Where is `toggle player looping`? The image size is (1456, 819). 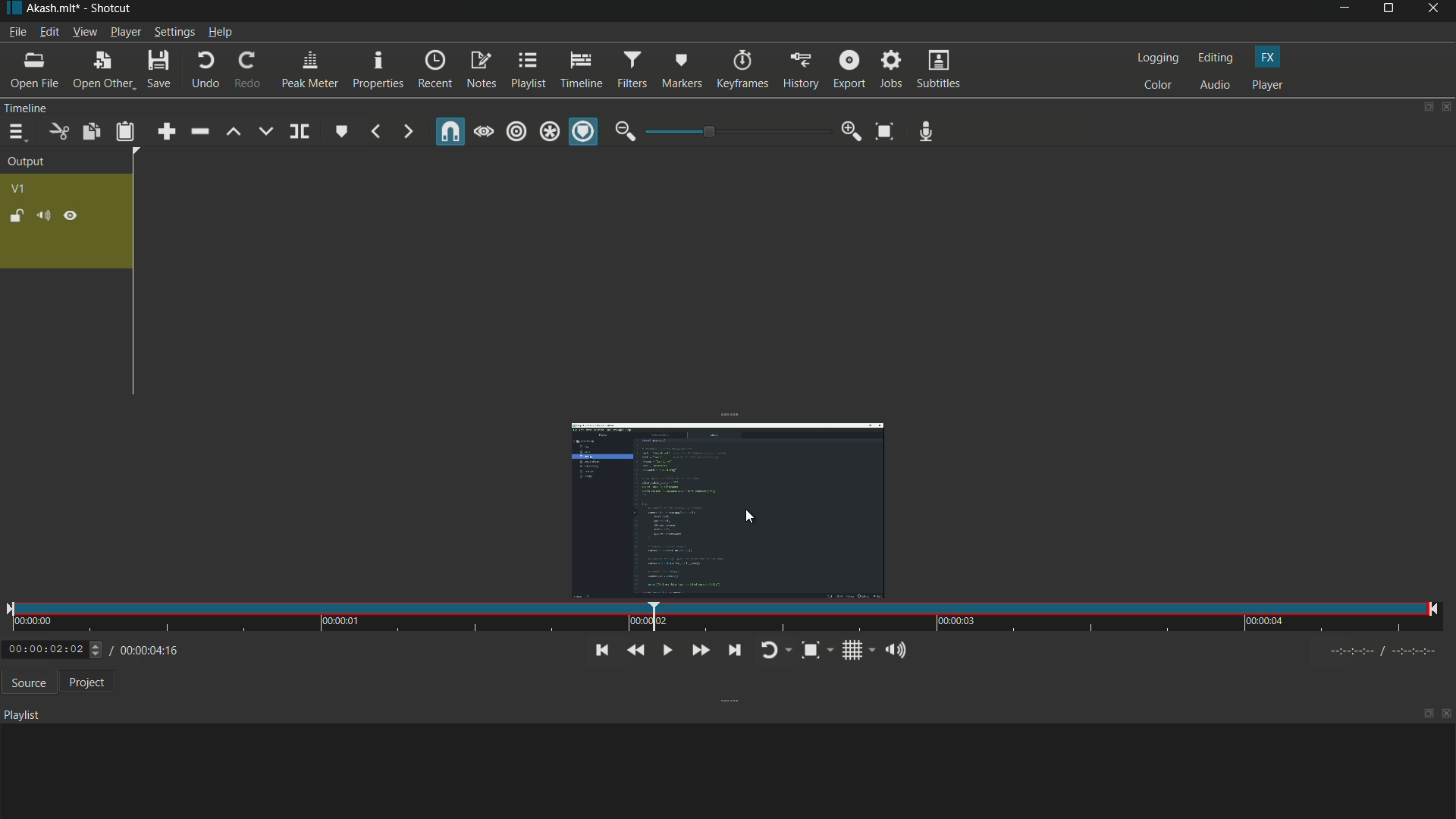 toggle player looping is located at coordinates (773, 651).